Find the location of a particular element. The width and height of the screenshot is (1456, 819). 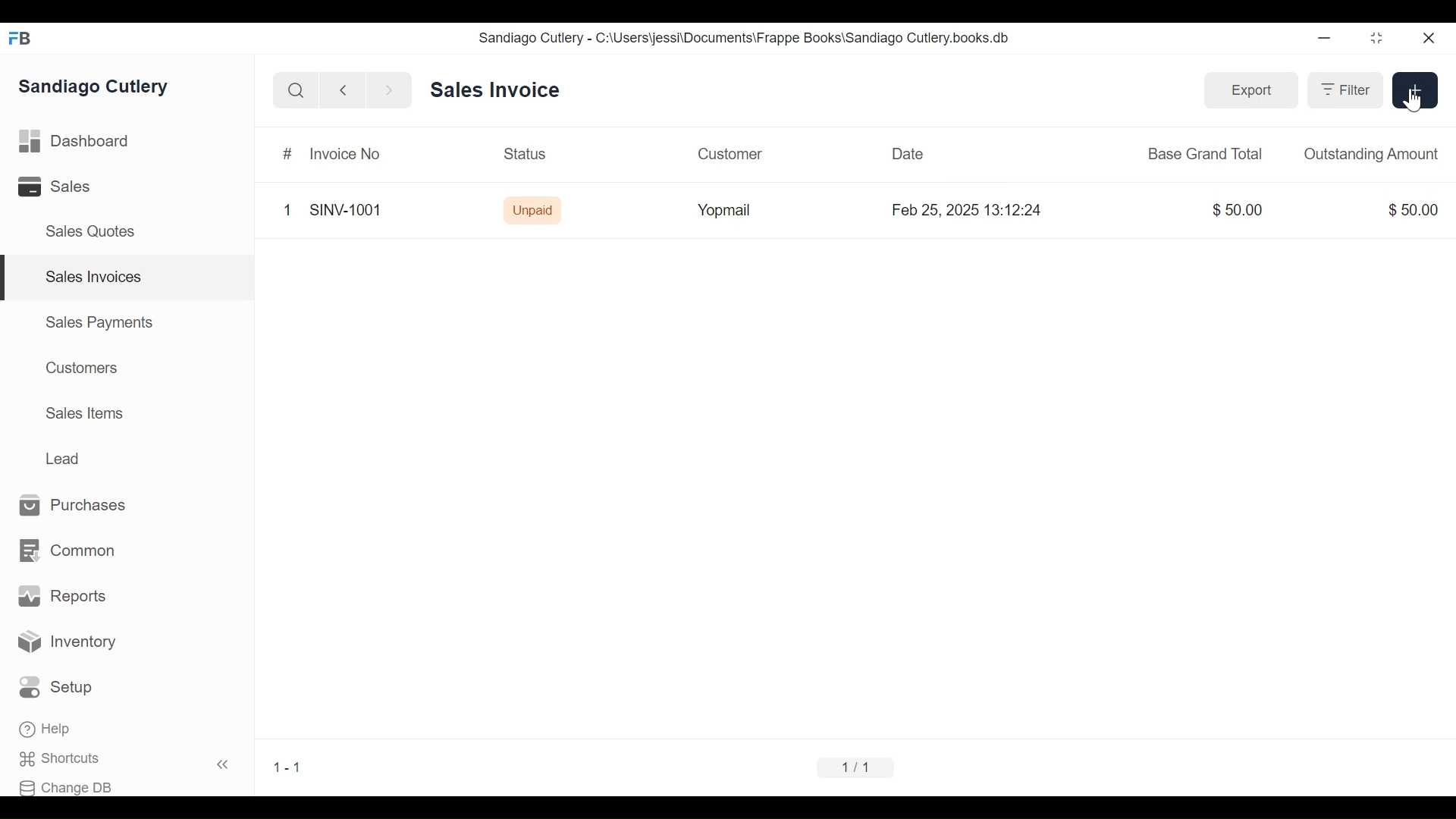

Export is located at coordinates (1253, 89).